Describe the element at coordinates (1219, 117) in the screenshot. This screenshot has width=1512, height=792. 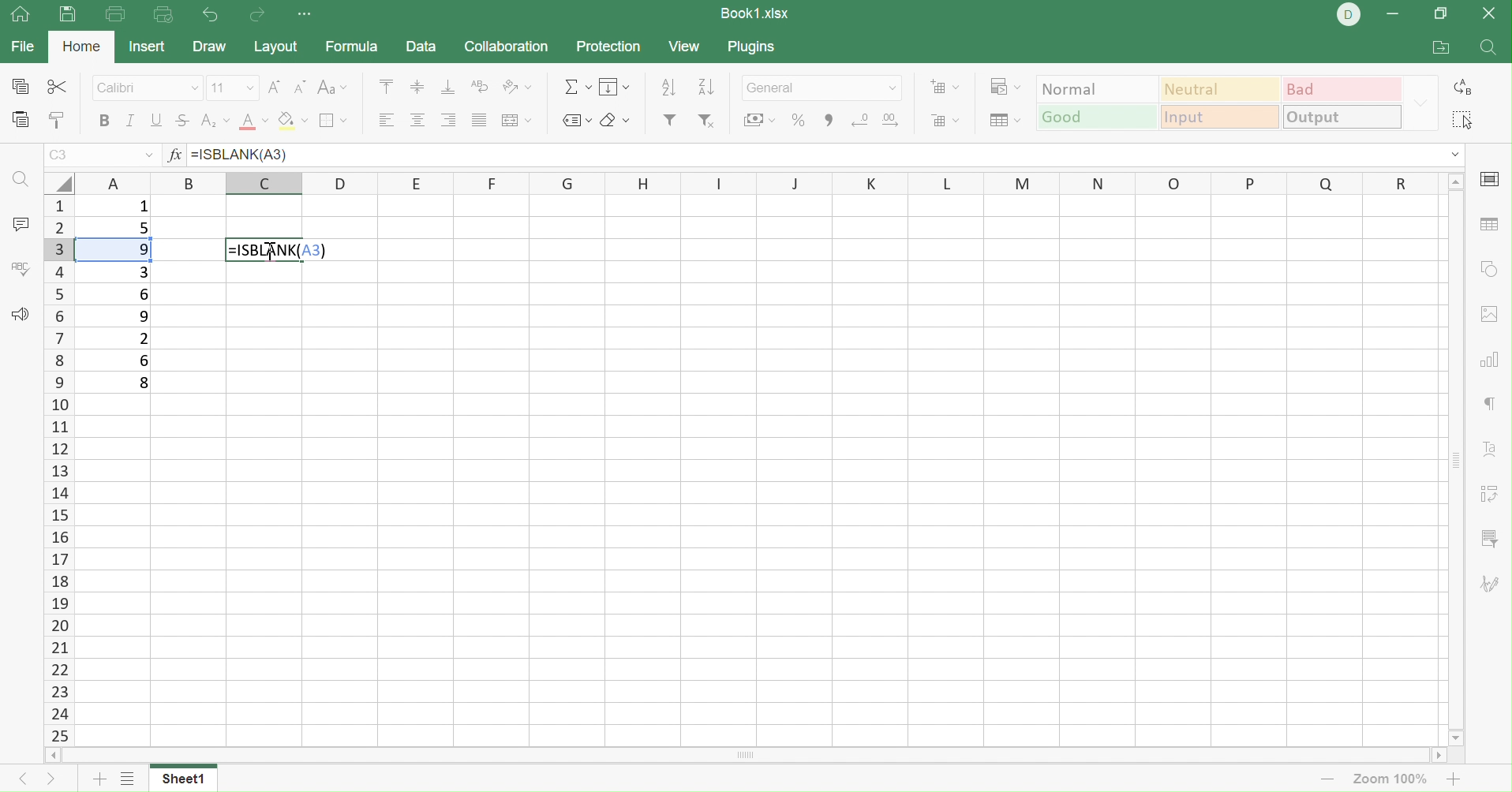
I see `Input` at that location.